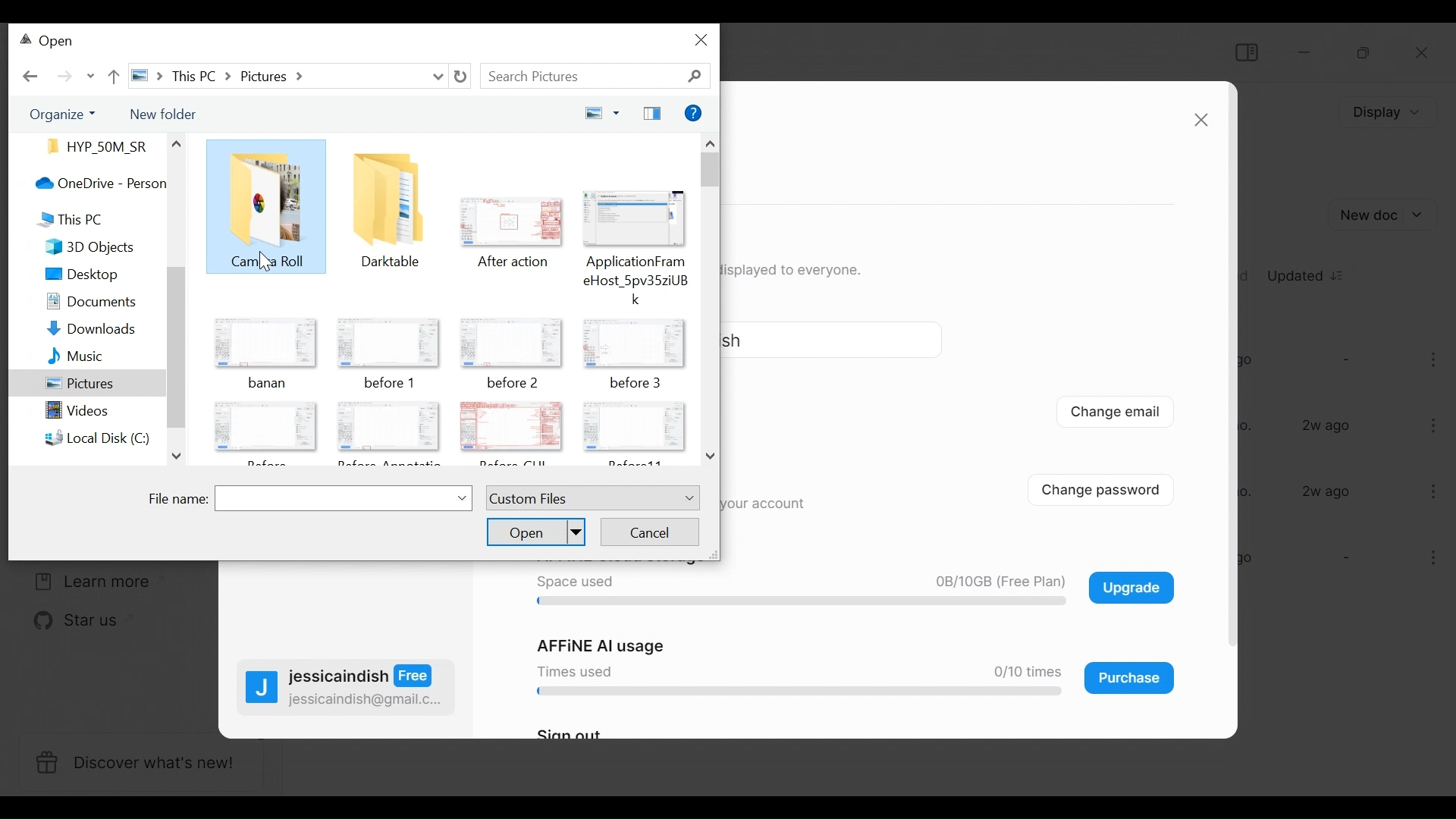  Describe the element at coordinates (1112, 488) in the screenshot. I see `Change password` at that location.